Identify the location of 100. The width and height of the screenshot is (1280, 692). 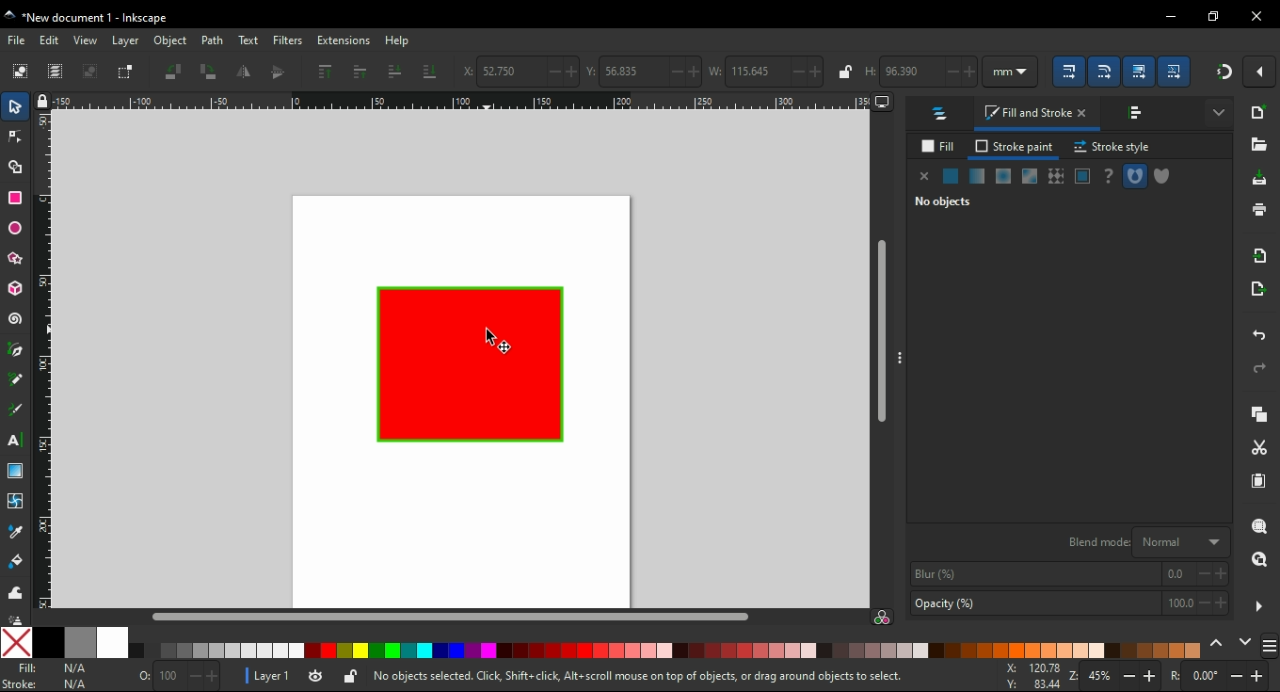
(170, 676).